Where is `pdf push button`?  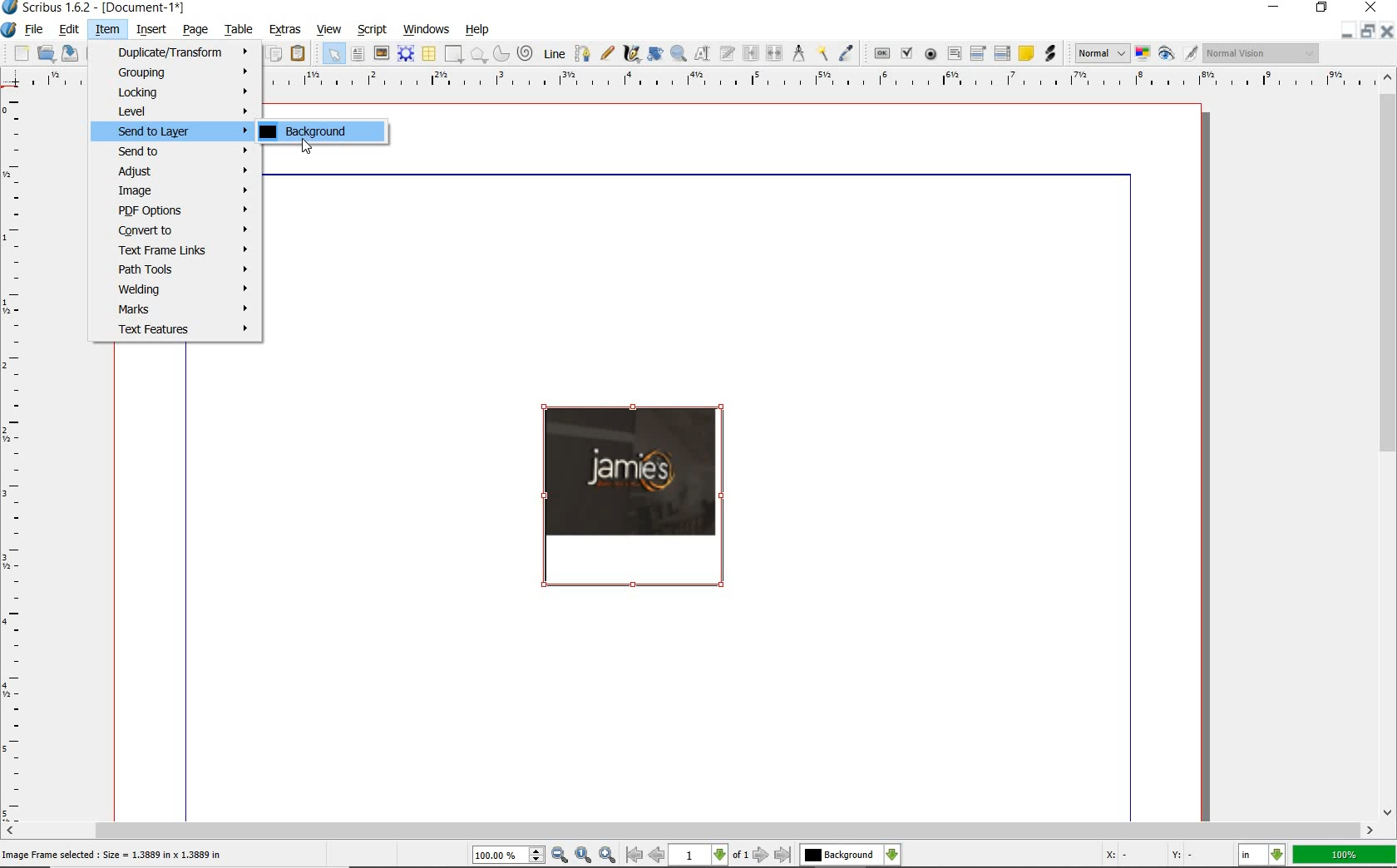
pdf push button is located at coordinates (881, 55).